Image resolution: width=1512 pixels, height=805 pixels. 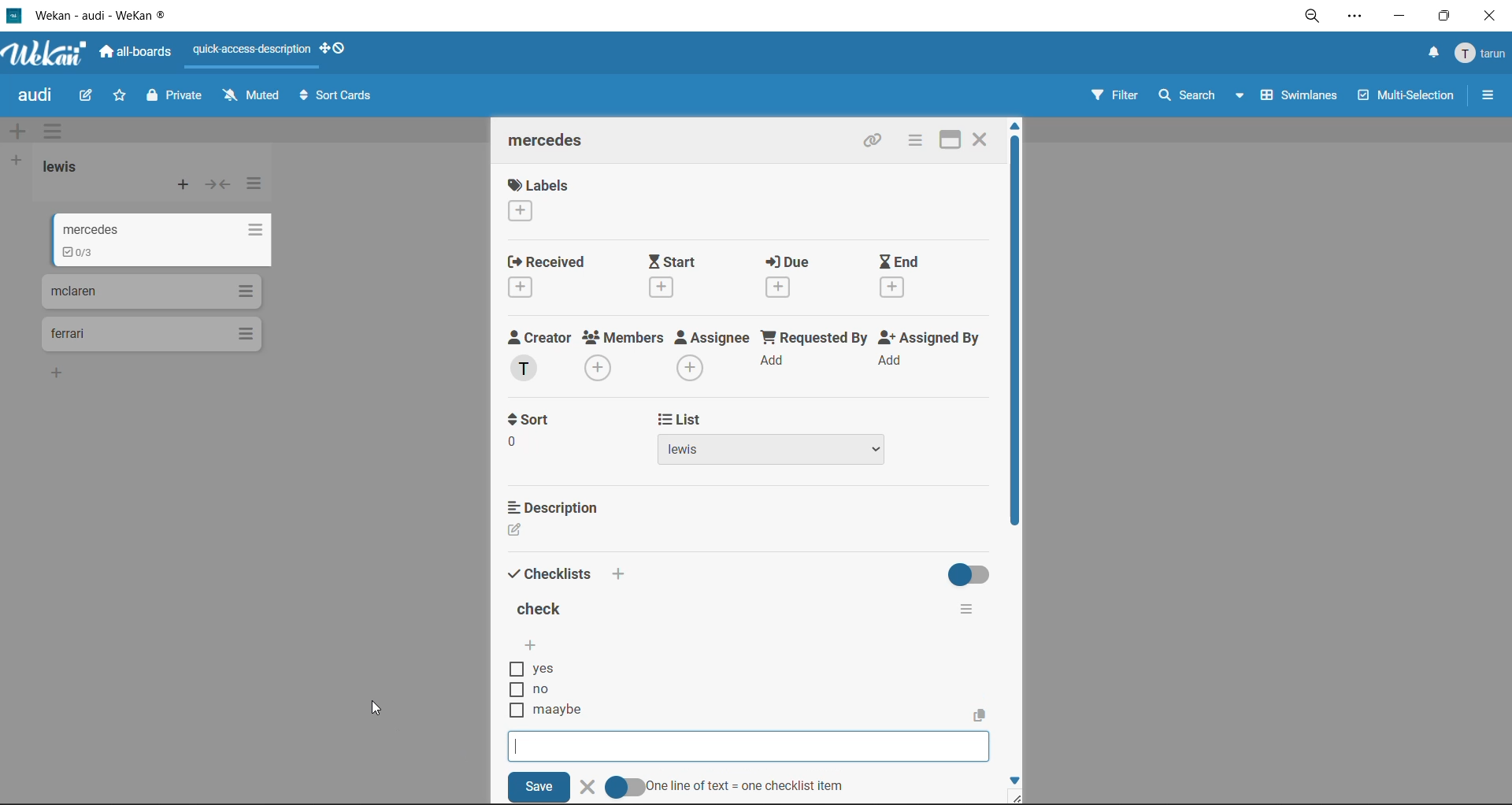 What do you see at coordinates (873, 143) in the screenshot?
I see `copy link` at bounding box center [873, 143].